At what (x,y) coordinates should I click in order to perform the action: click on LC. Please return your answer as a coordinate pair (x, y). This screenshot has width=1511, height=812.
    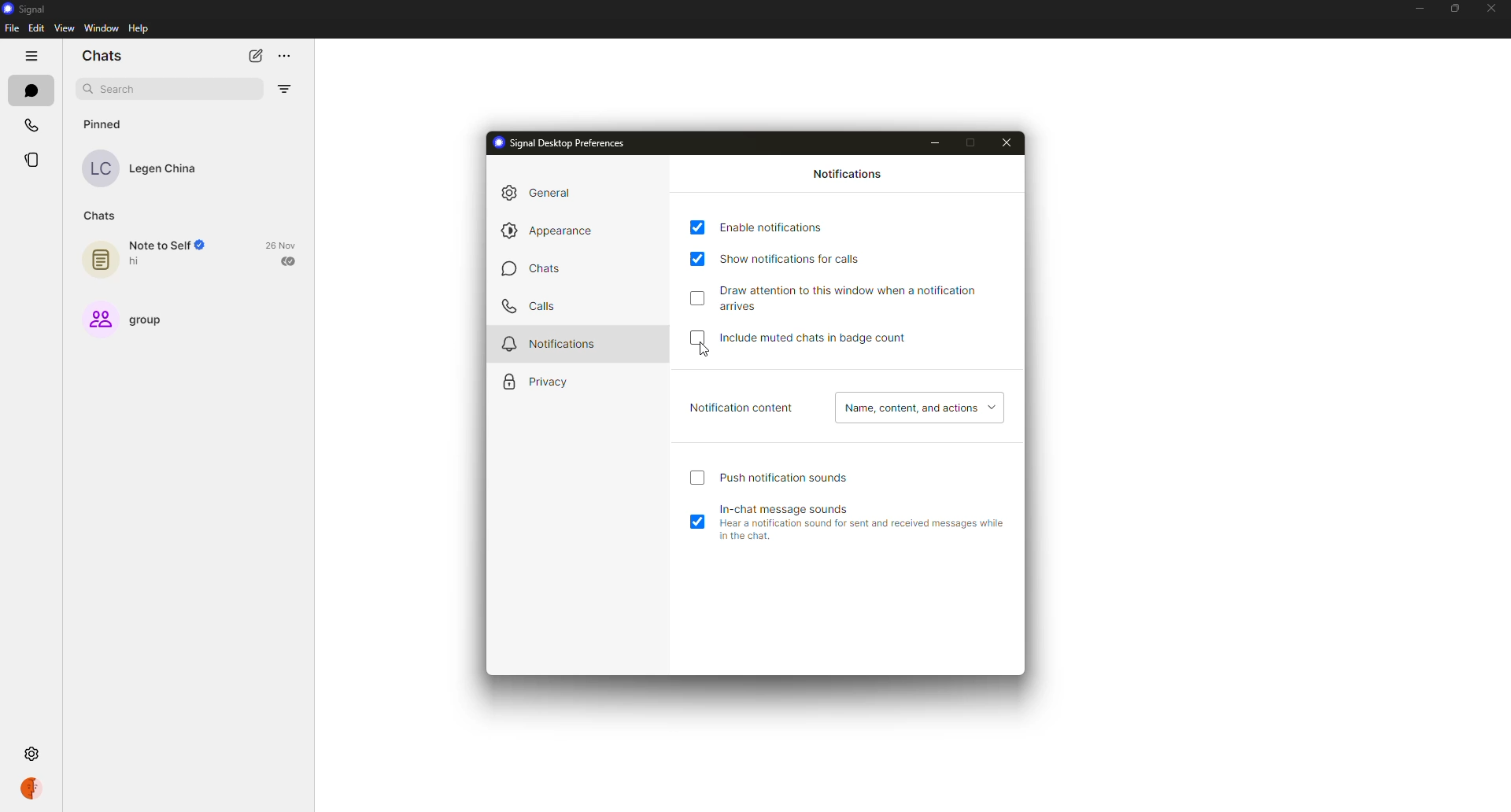
    Looking at the image, I should click on (99, 168).